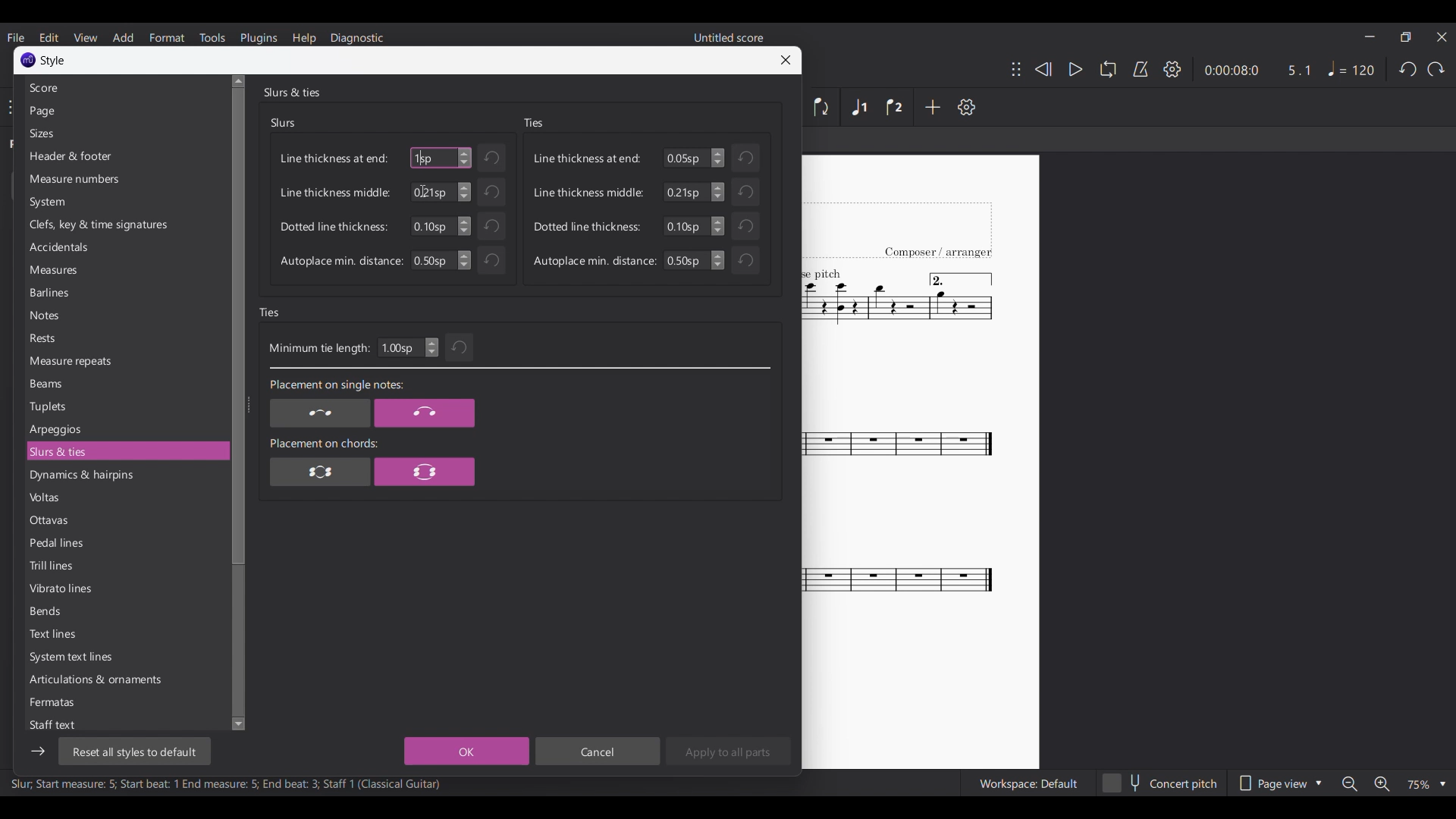 The height and width of the screenshot is (819, 1456). What do you see at coordinates (1141, 69) in the screenshot?
I see `Metronome` at bounding box center [1141, 69].